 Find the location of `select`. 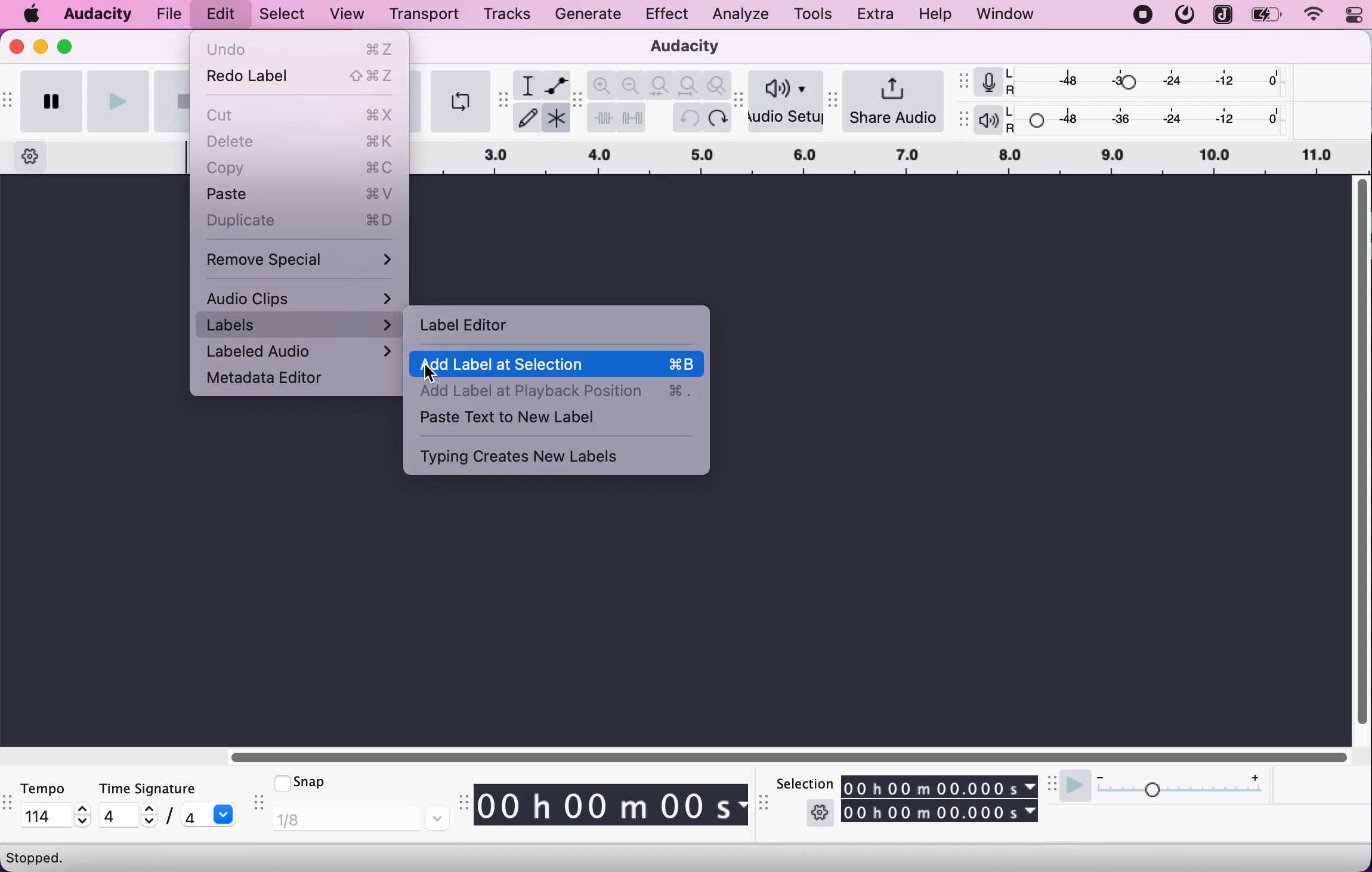

select is located at coordinates (280, 15).